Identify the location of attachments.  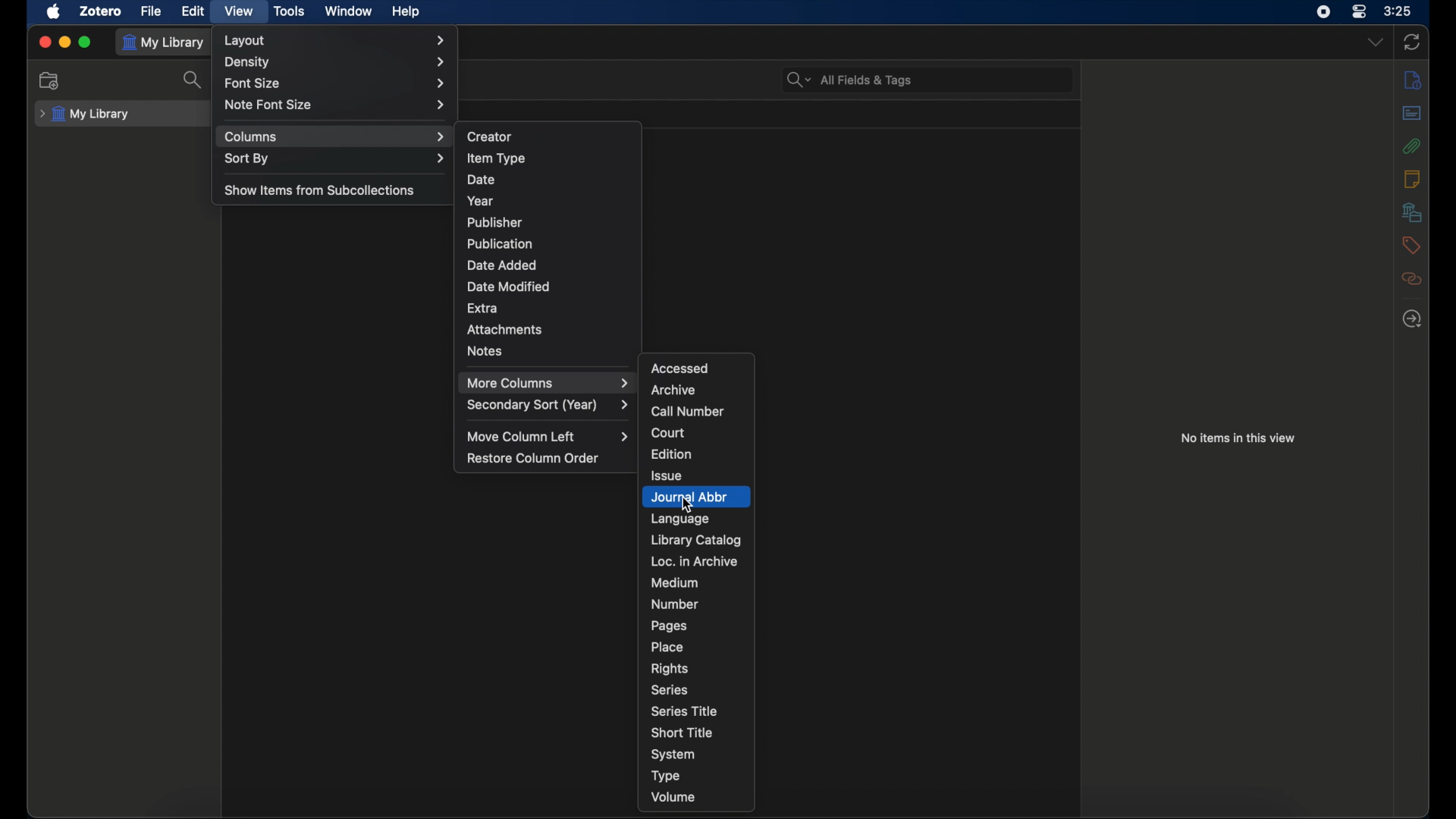
(505, 330).